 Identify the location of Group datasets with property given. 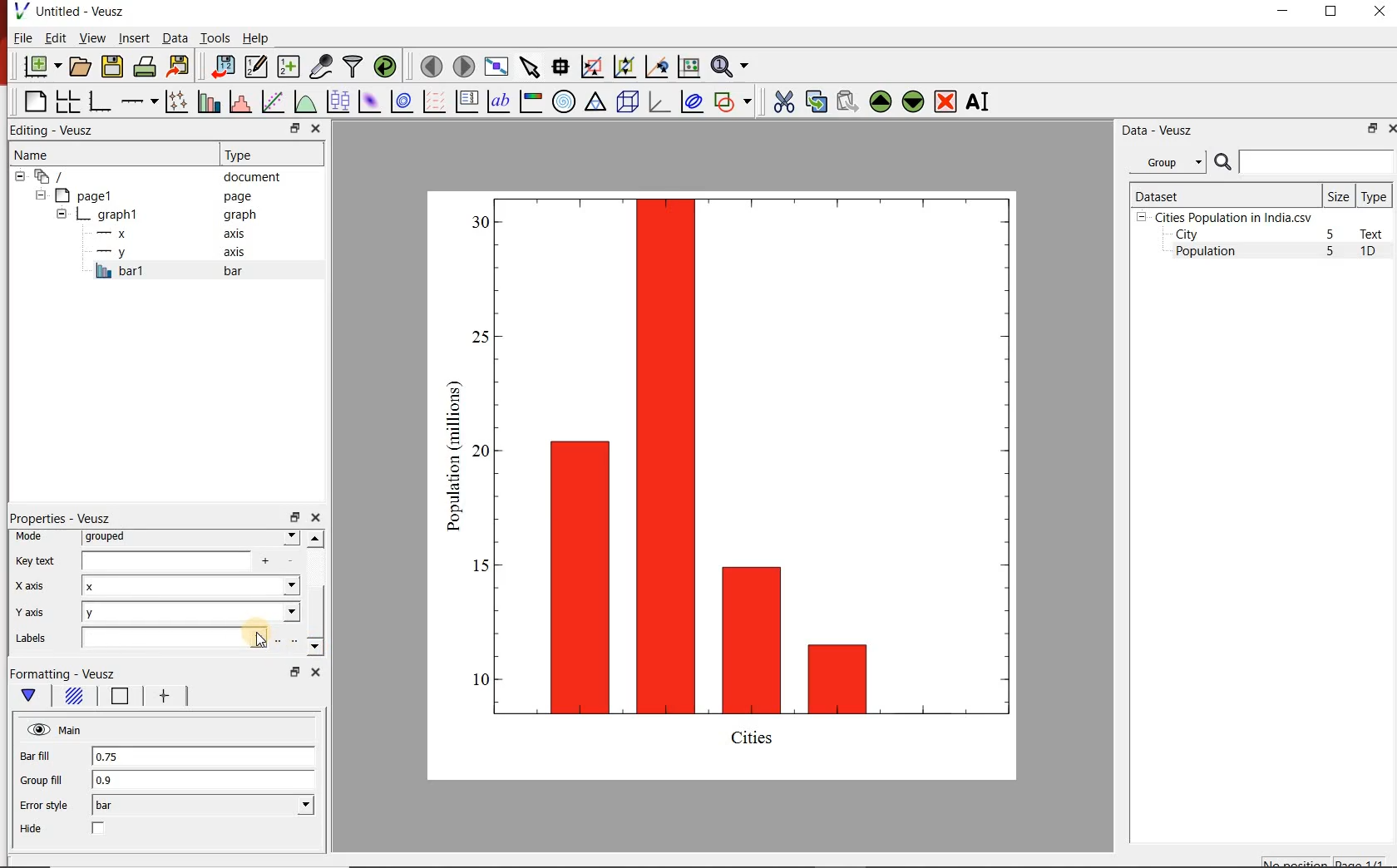
(1167, 161).